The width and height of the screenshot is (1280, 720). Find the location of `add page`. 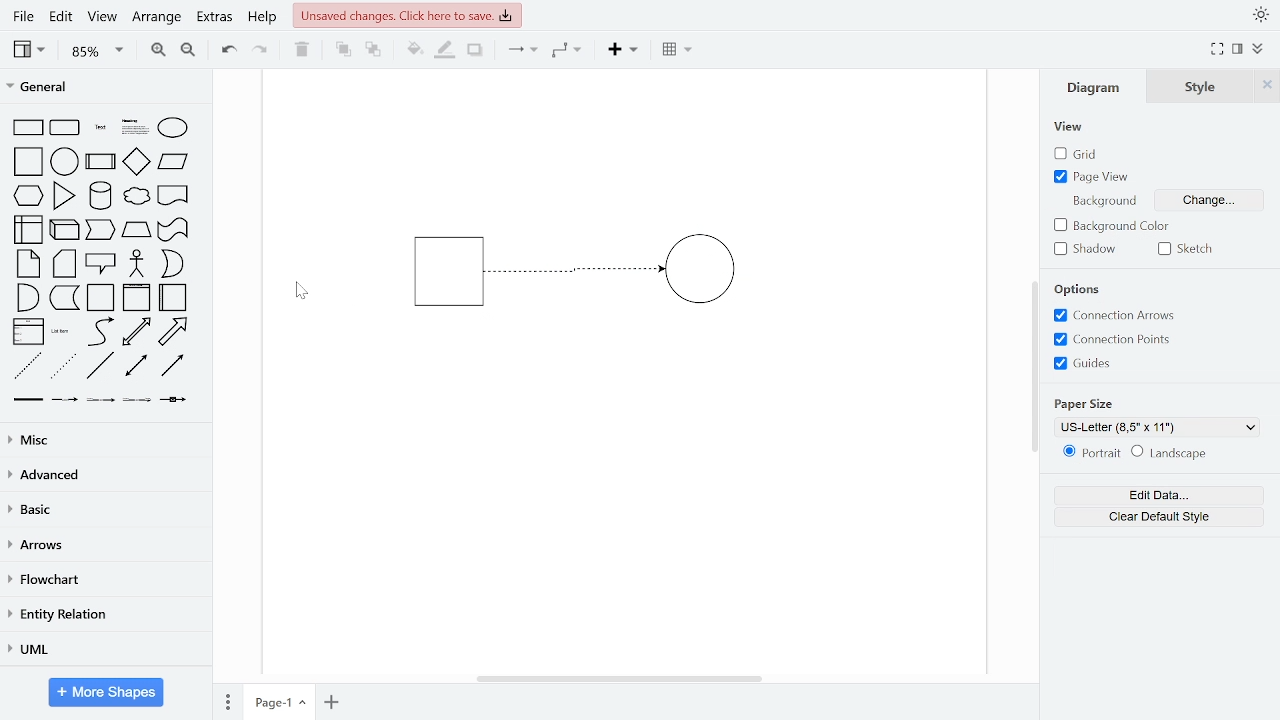

add page is located at coordinates (332, 702).